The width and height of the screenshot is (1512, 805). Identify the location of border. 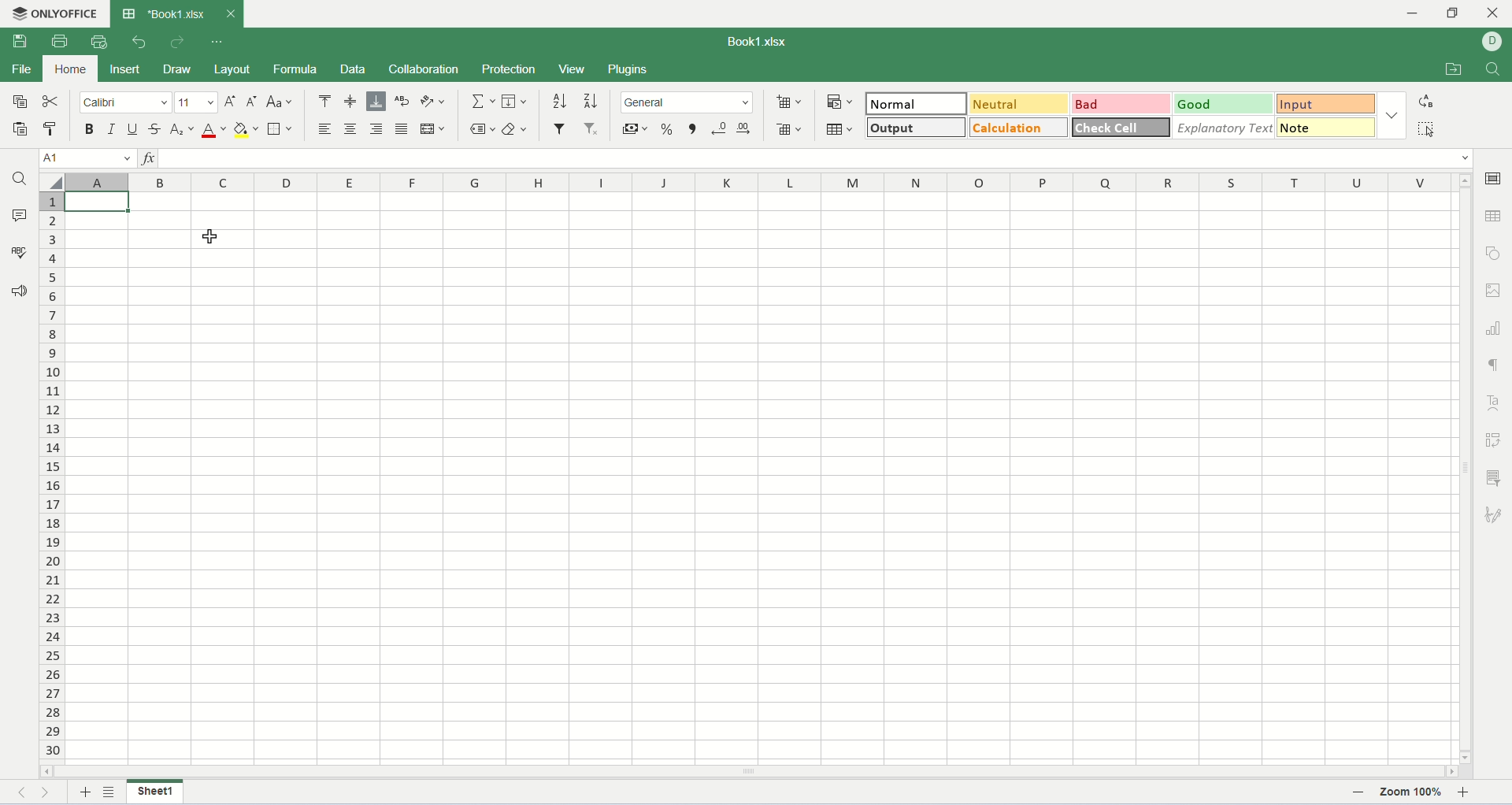
(280, 130).